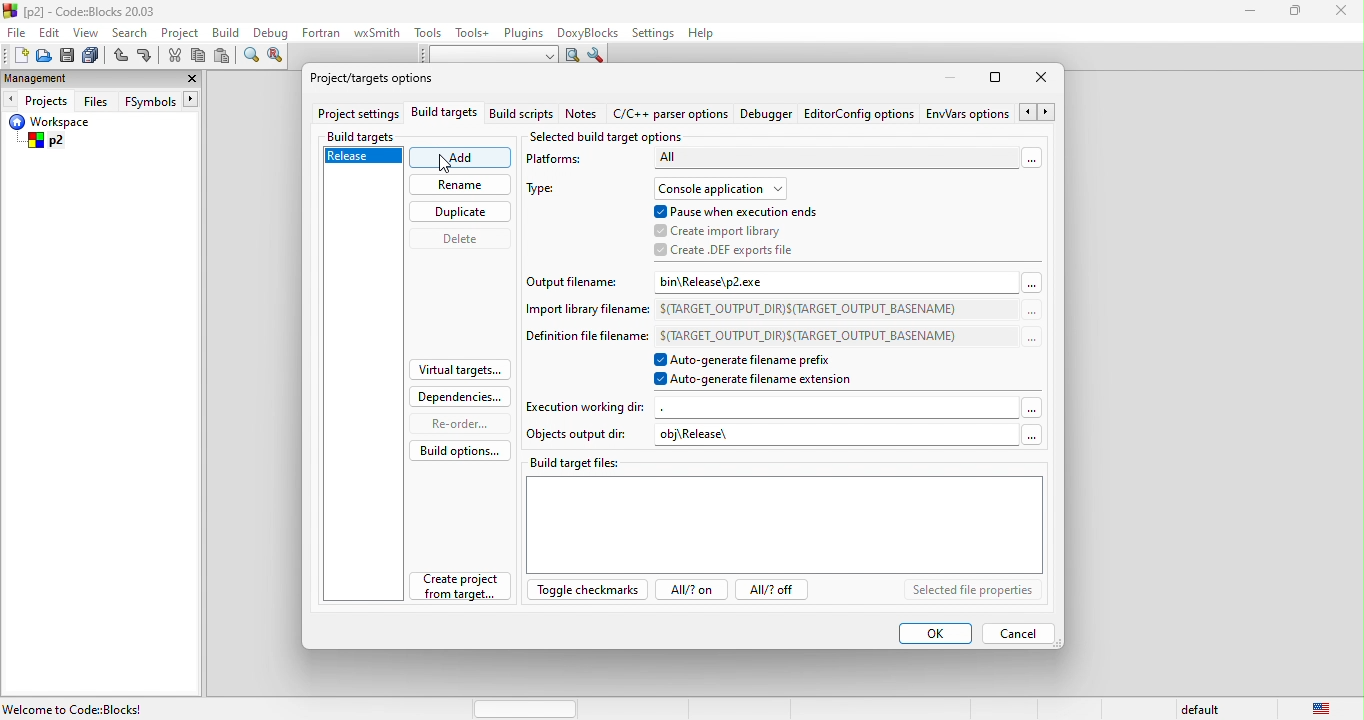  What do you see at coordinates (99, 100) in the screenshot?
I see `files` at bounding box center [99, 100].